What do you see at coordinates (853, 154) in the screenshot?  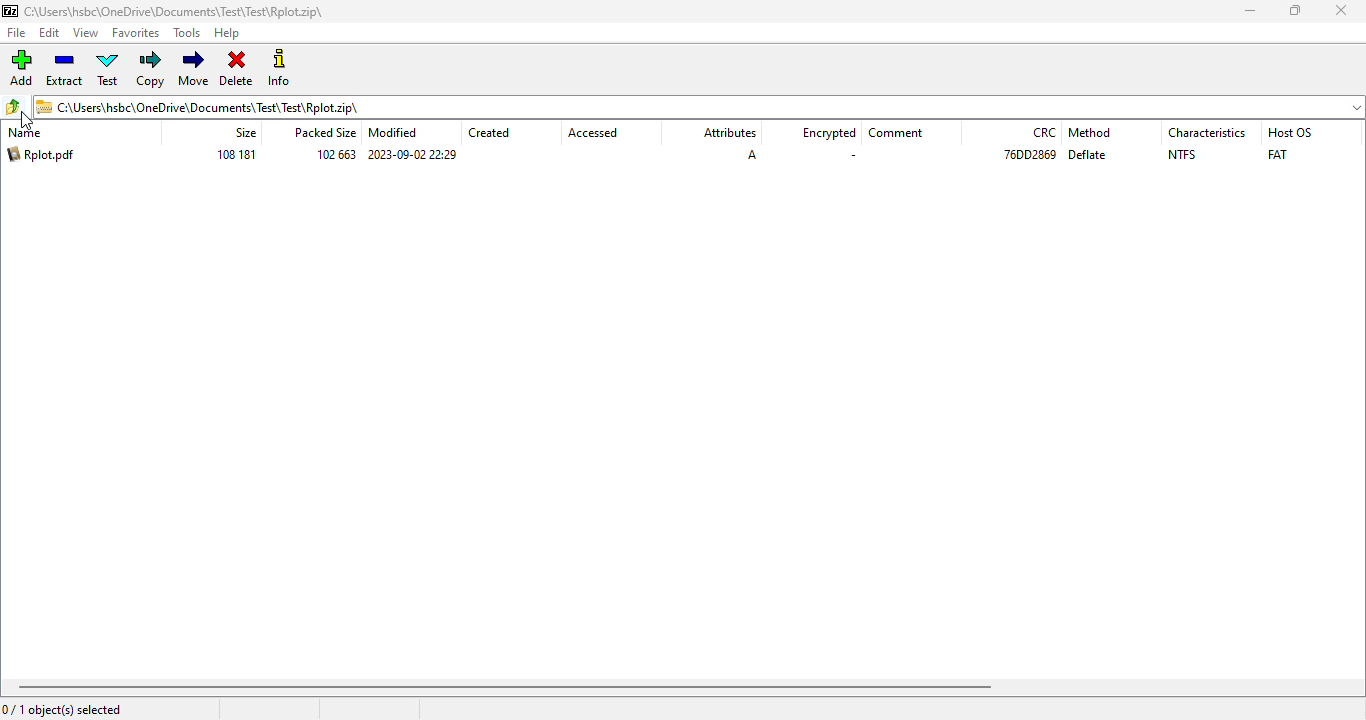 I see `.` at bounding box center [853, 154].